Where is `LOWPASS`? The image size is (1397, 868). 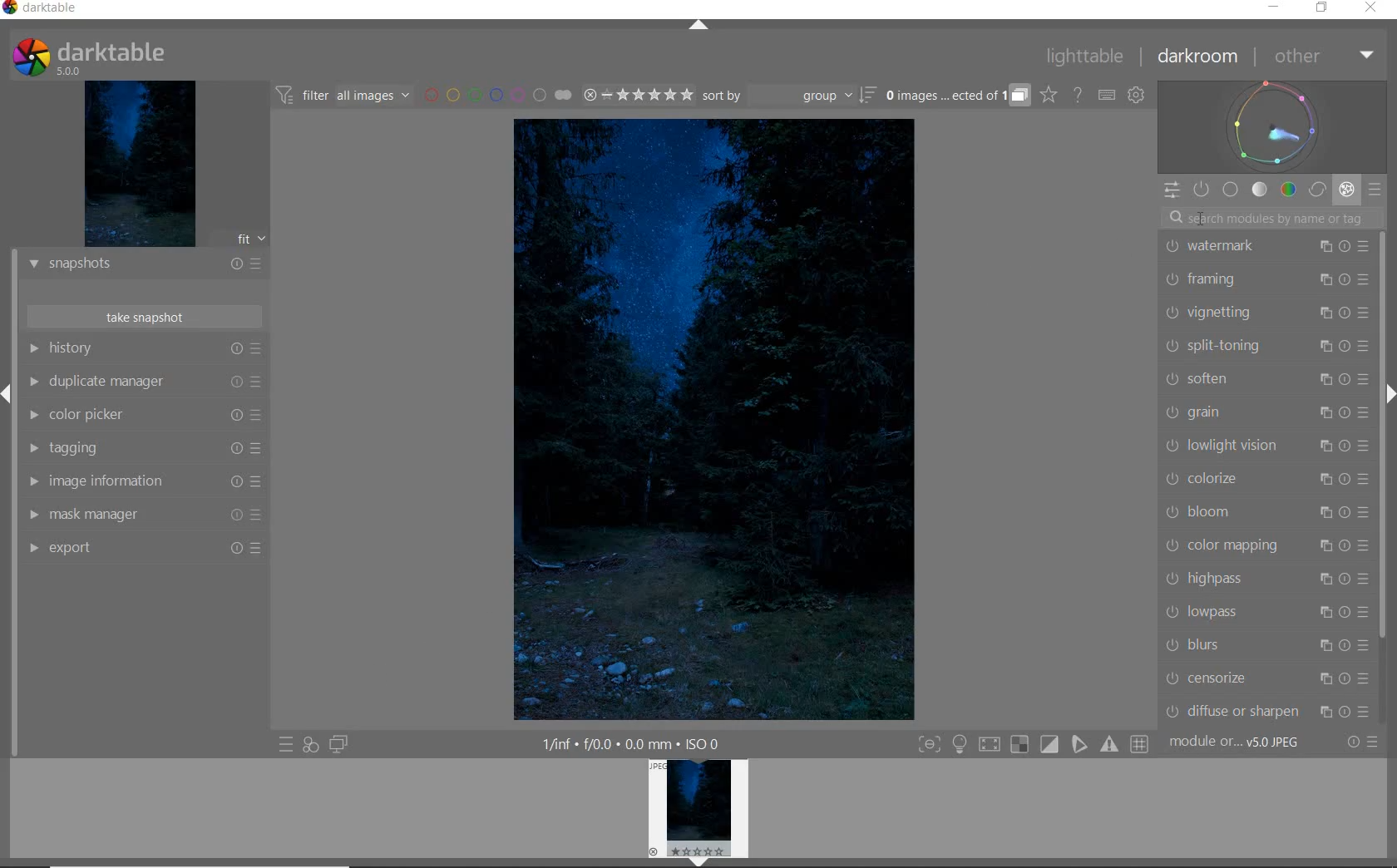 LOWPASS is located at coordinates (1263, 613).